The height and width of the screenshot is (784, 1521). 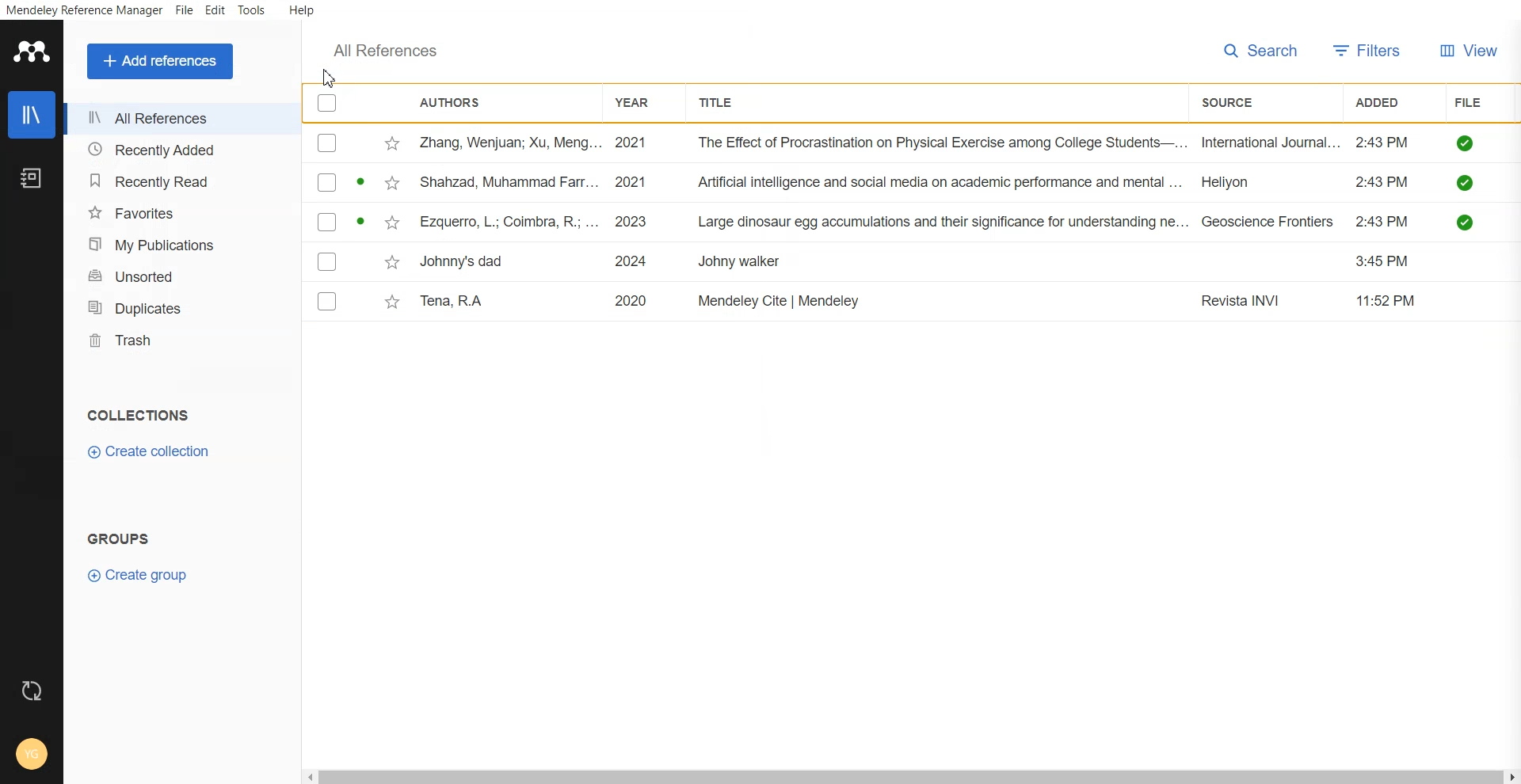 What do you see at coordinates (136, 414) in the screenshot?
I see `Text` at bounding box center [136, 414].